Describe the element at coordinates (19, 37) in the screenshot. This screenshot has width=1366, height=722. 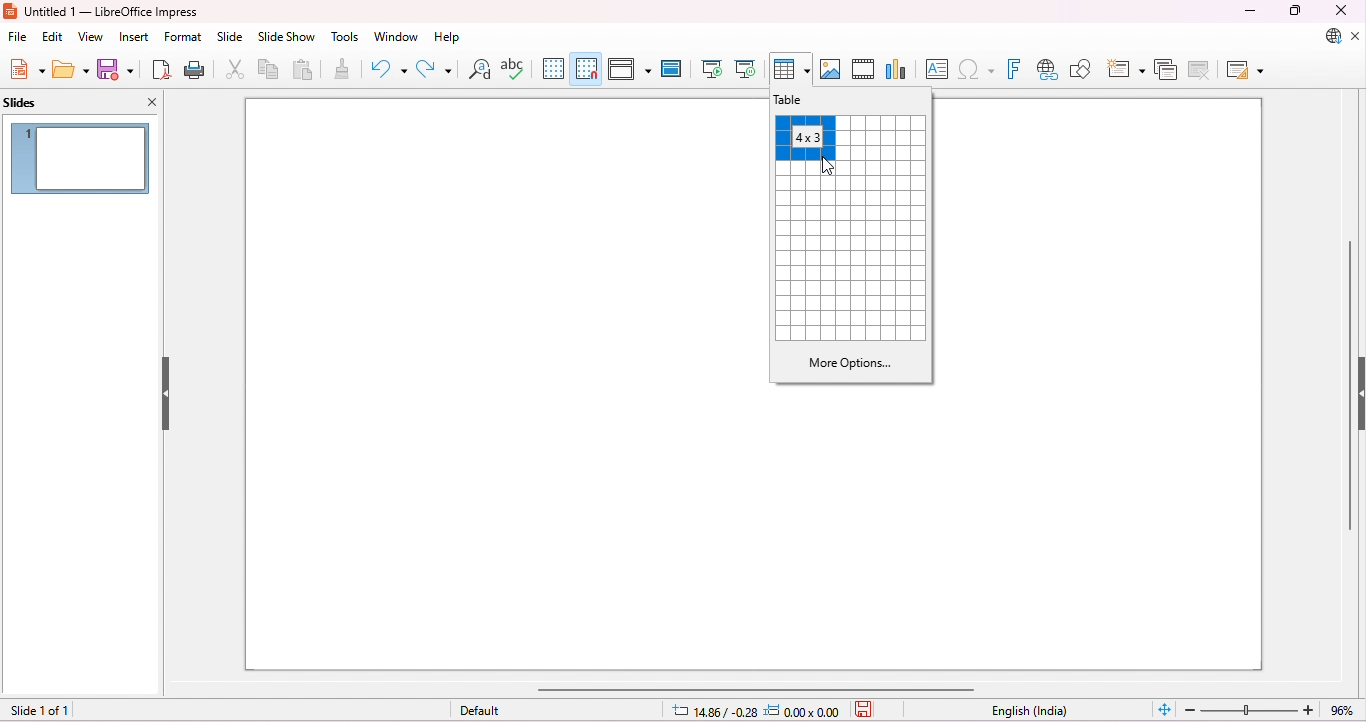
I see `file` at that location.